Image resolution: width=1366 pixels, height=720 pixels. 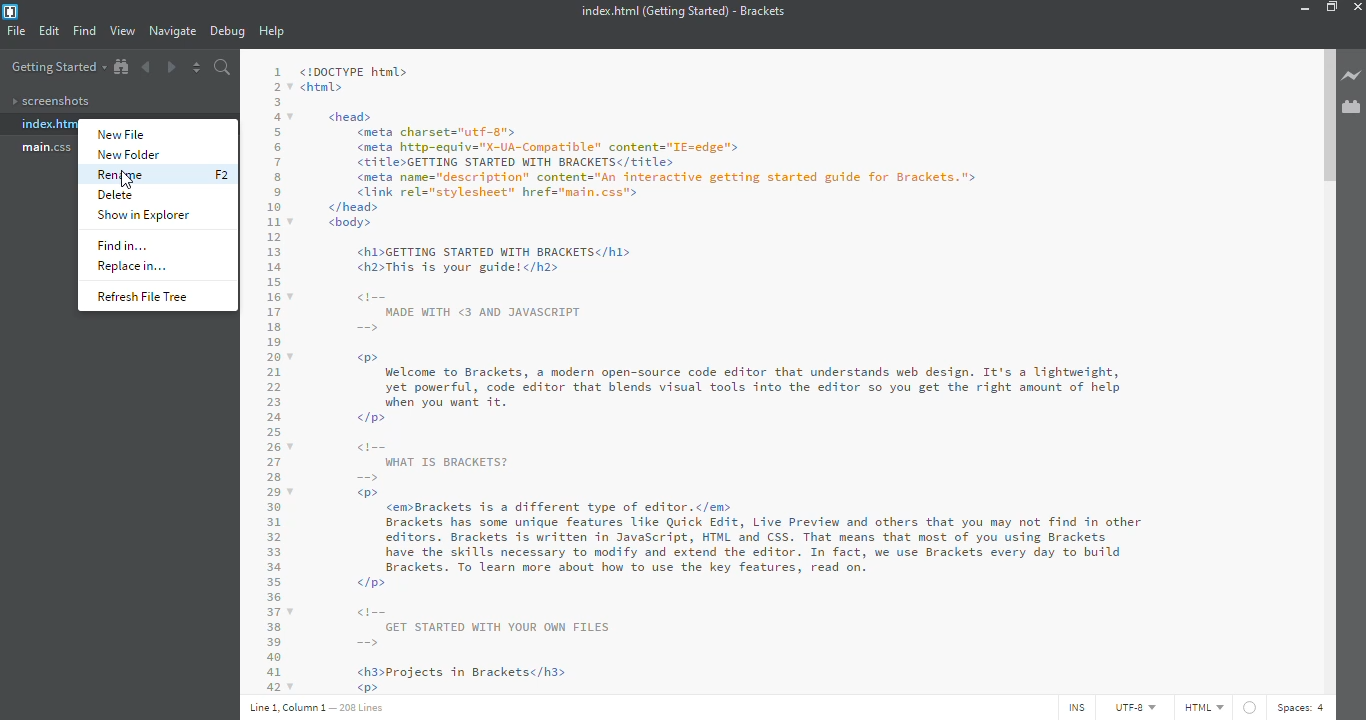 What do you see at coordinates (1332, 7) in the screenshot?
I see `maximize` at bounding box center [1332, 7].